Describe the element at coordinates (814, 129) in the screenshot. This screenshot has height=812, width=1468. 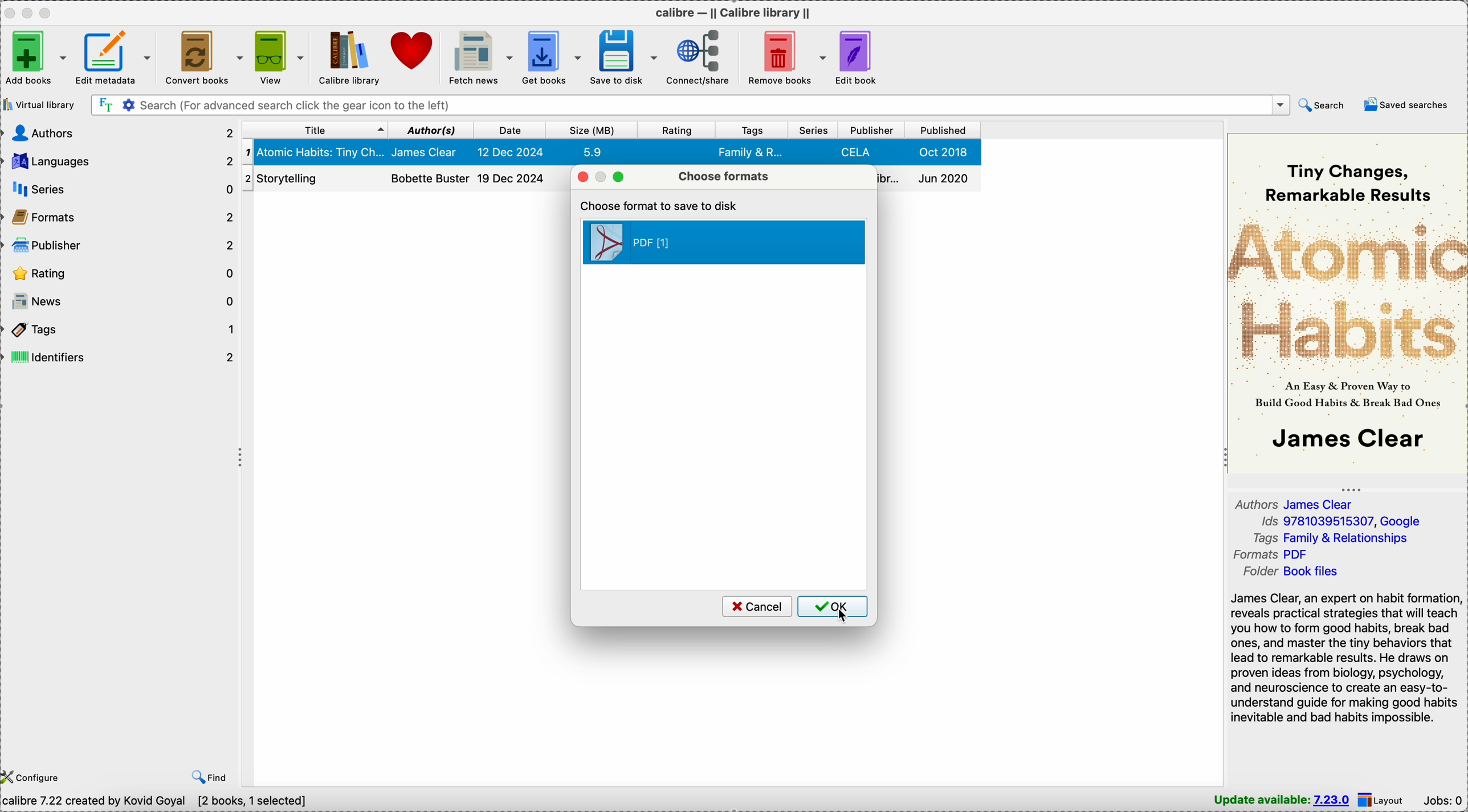
I see `series` at that location.